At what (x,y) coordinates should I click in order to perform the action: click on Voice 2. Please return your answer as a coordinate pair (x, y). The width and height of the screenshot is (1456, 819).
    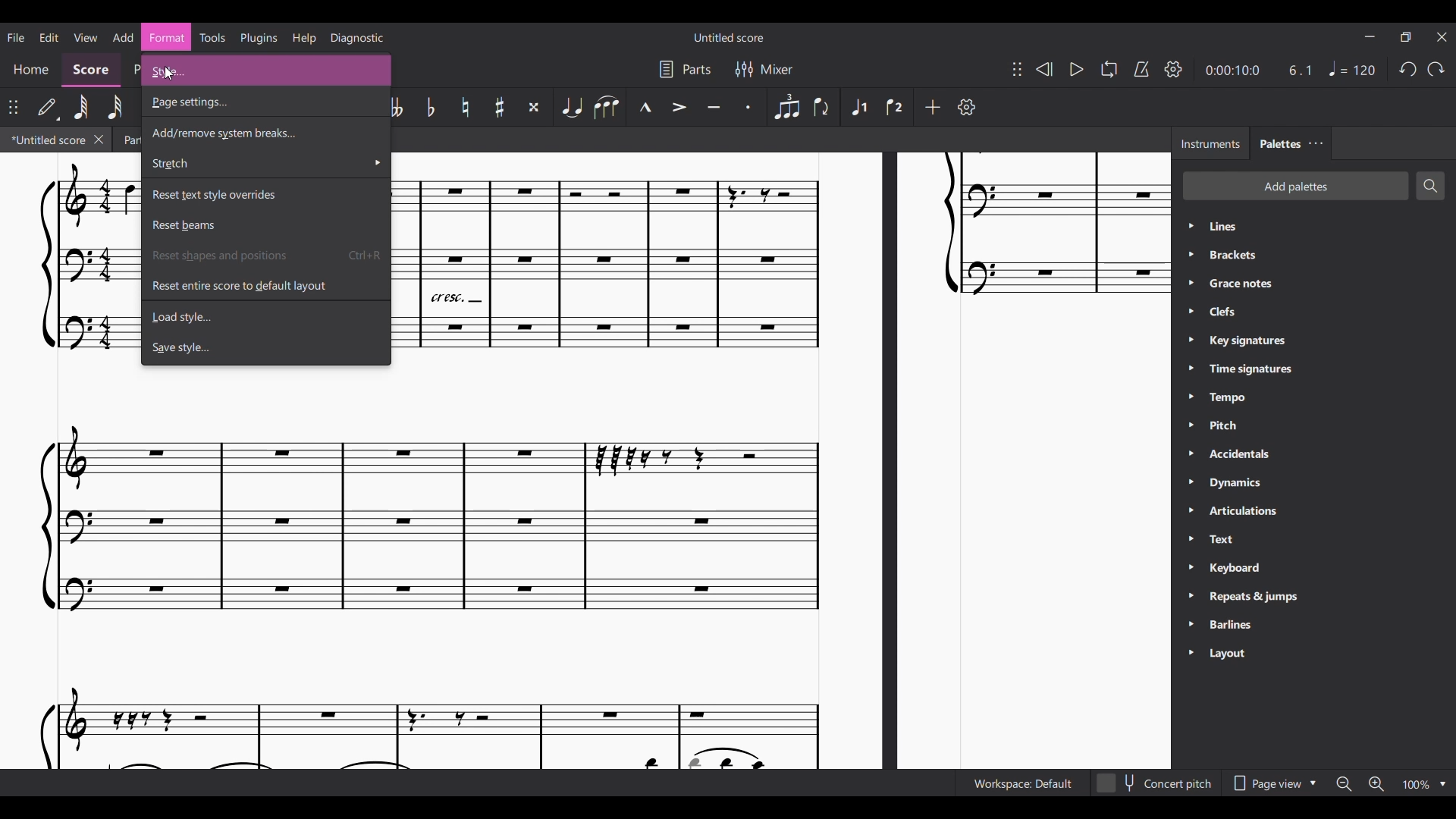
    Looking at the image, I should click on (896, 106).